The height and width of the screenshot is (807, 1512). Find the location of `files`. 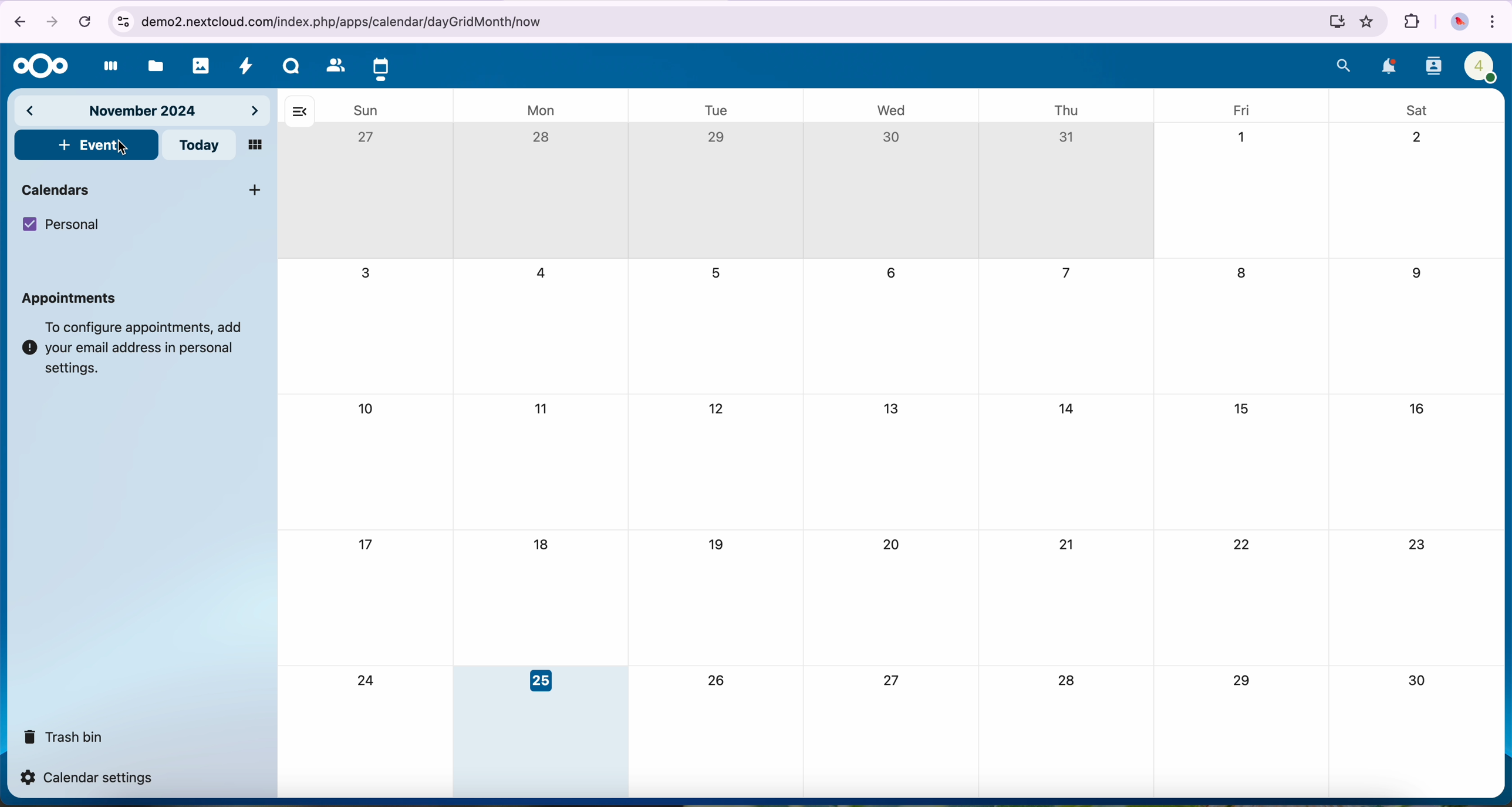

files is located at coordinates (153, 66).